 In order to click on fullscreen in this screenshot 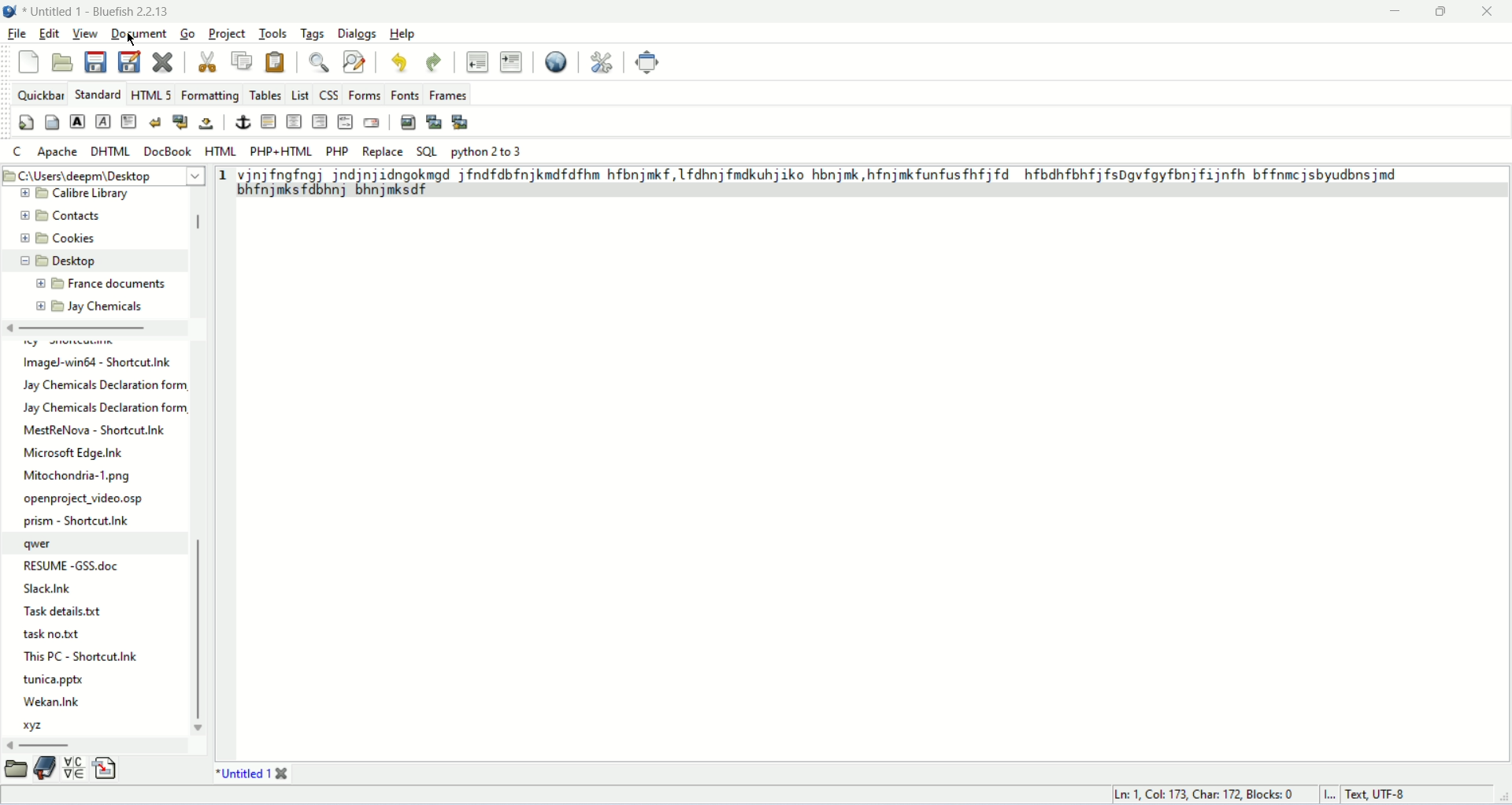, I will do `click(649, 62)`.